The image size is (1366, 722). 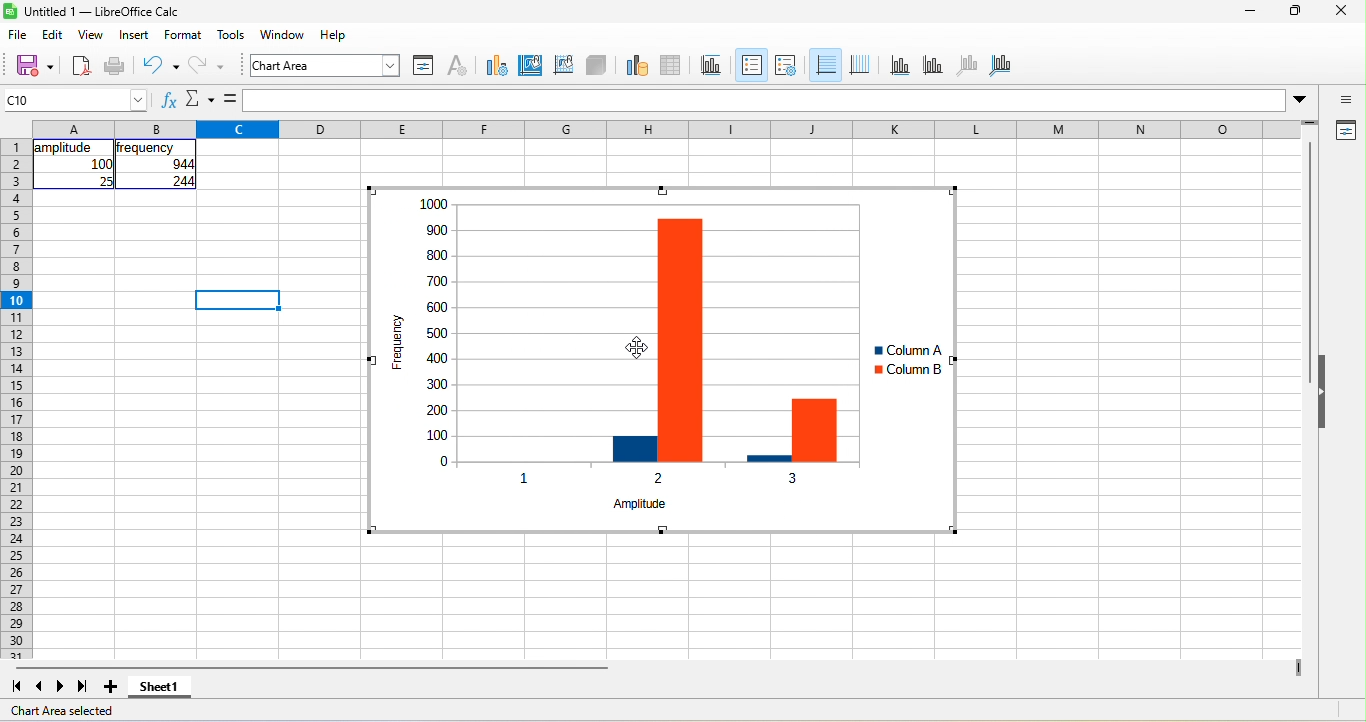 I want to click on Untitled 1 — LibreOffice Calc, so click(x=103, y=12).